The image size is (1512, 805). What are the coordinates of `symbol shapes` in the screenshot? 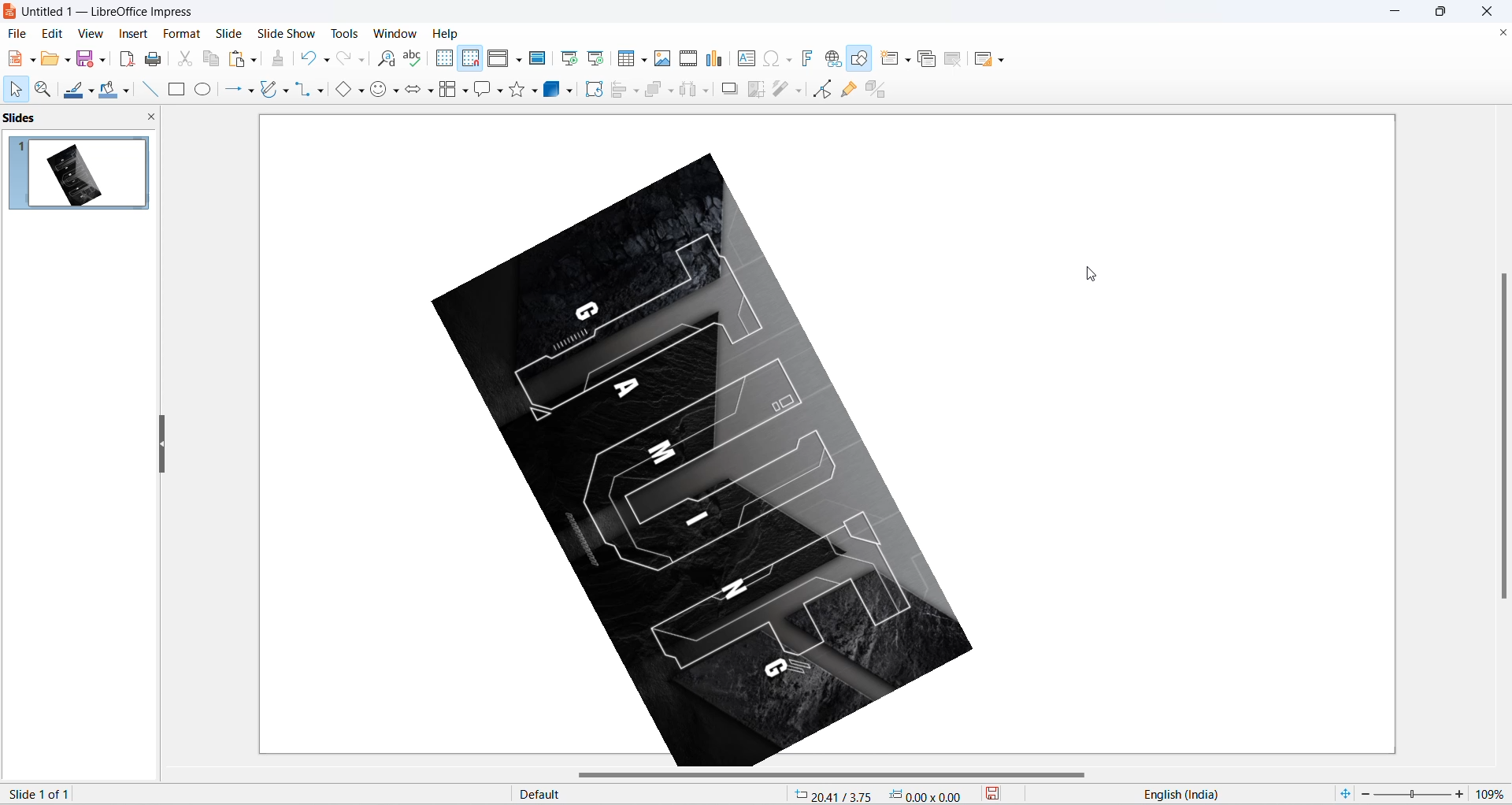 It's located at (398, 93).